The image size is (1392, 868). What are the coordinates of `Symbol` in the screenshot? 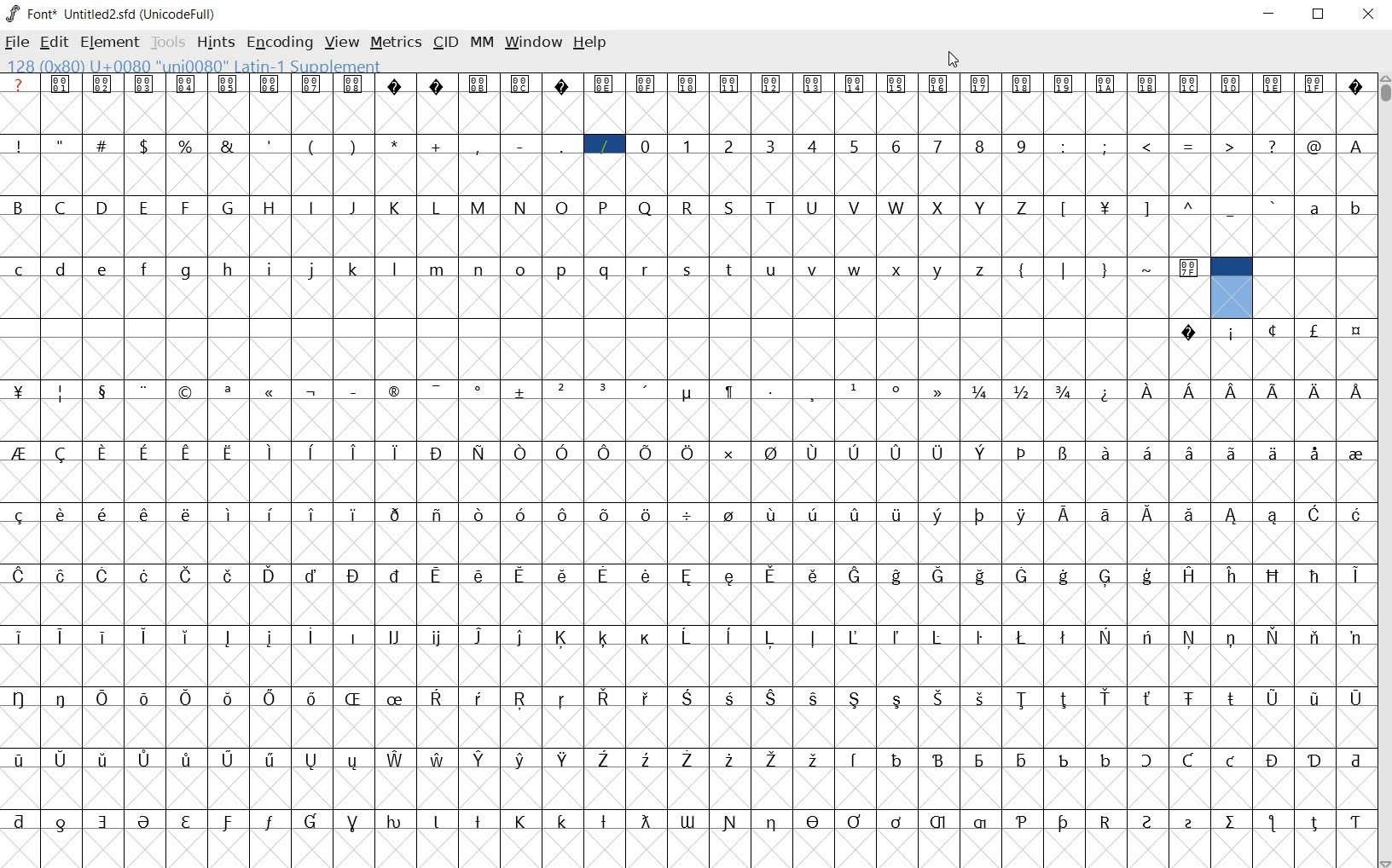 It's located at (1022, 83).